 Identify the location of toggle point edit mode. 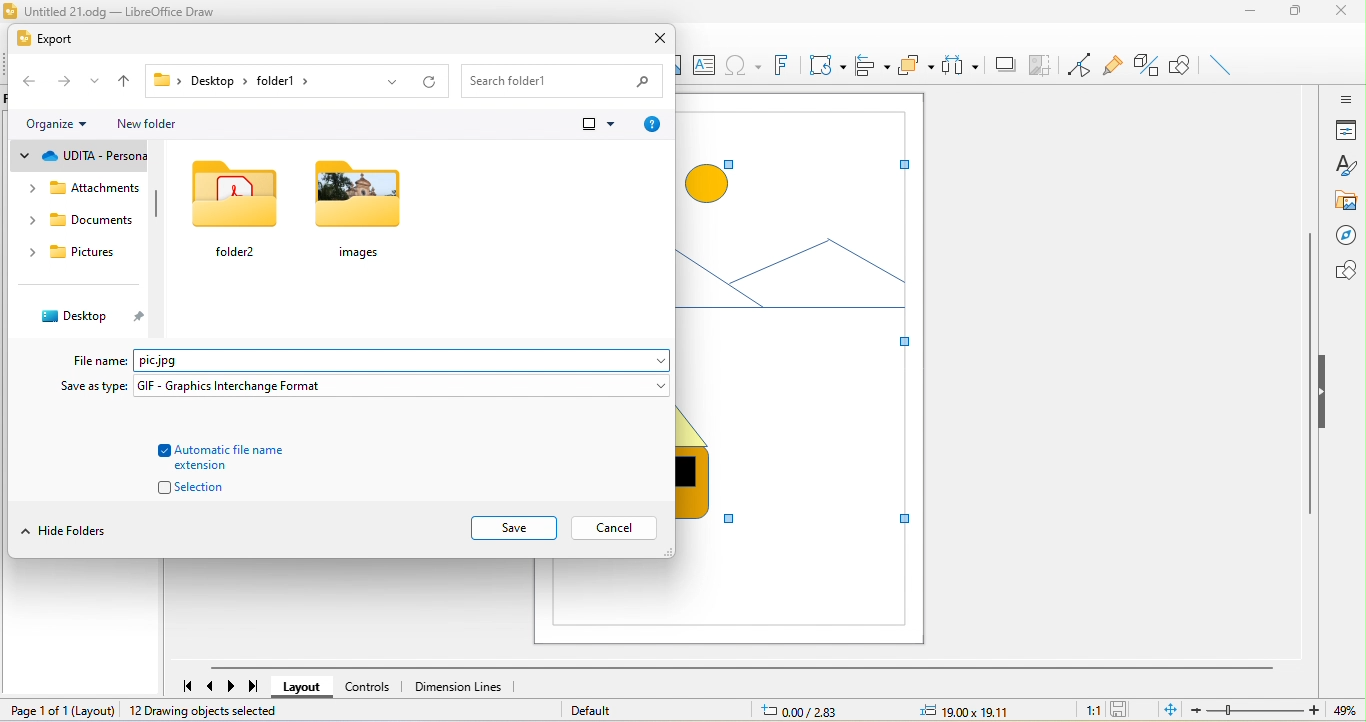
(1082, 65).